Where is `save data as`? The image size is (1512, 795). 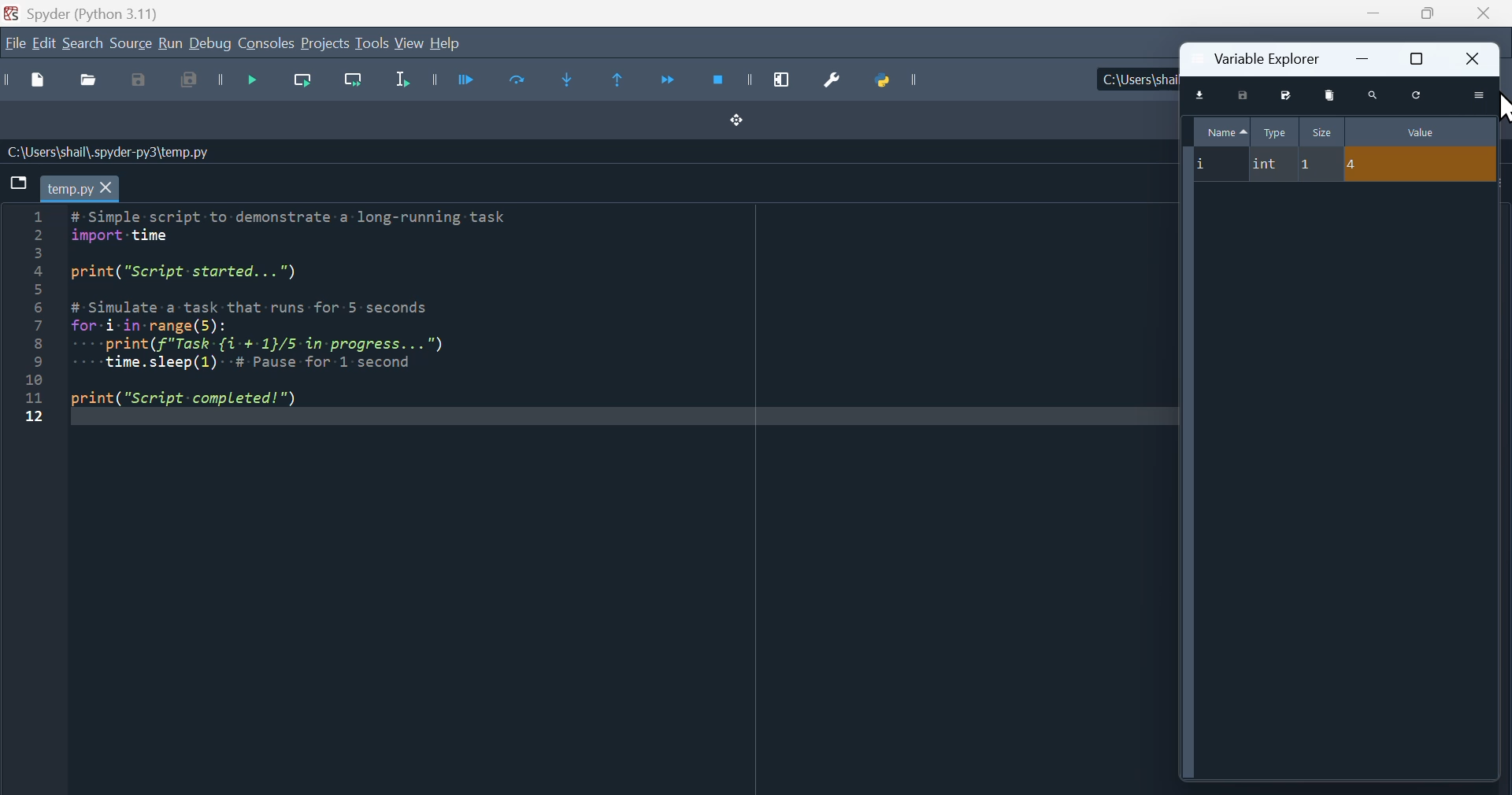
save data as is located at coordinates (1284, 94).